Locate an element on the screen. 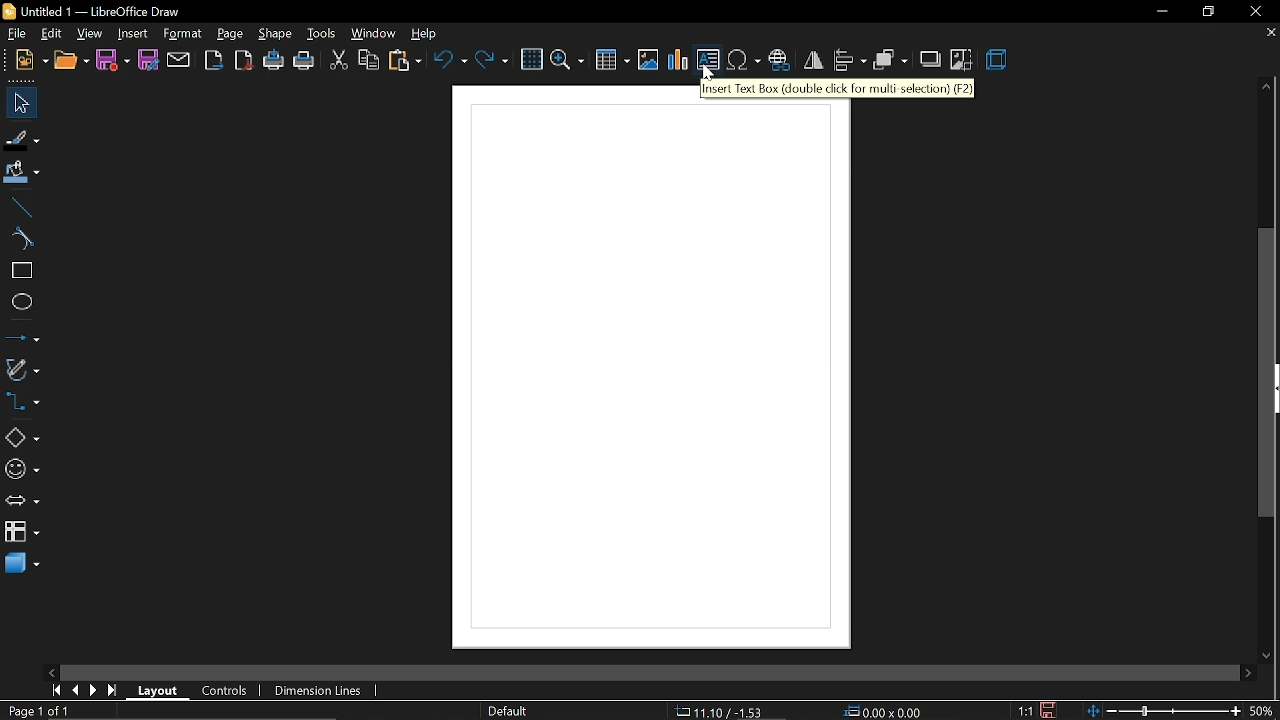 The height and width of the screenshot is (720, 1280). help is located at coordinates (429, 35).